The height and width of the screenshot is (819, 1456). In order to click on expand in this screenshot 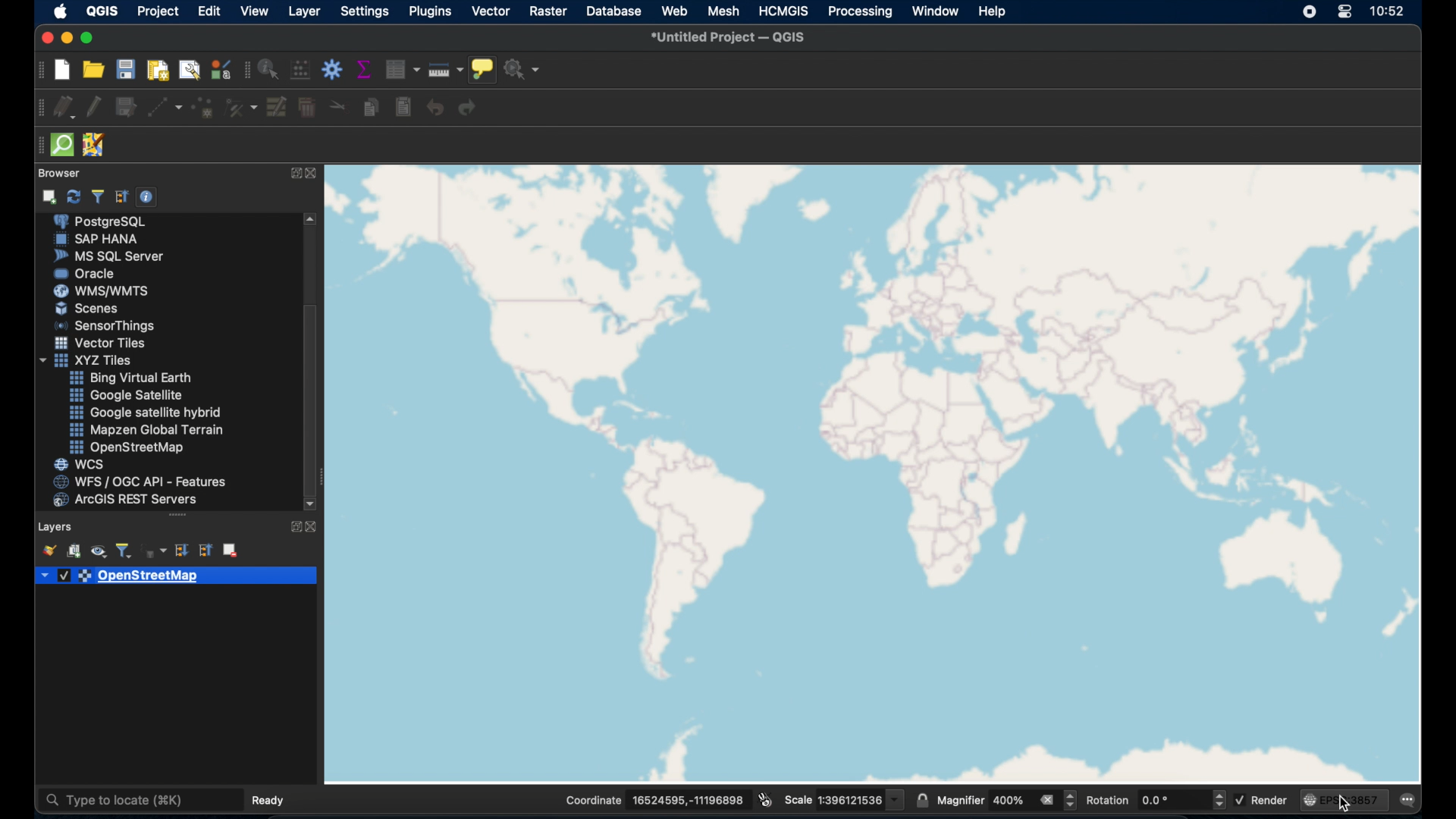, I will do `click(293, 528)`.